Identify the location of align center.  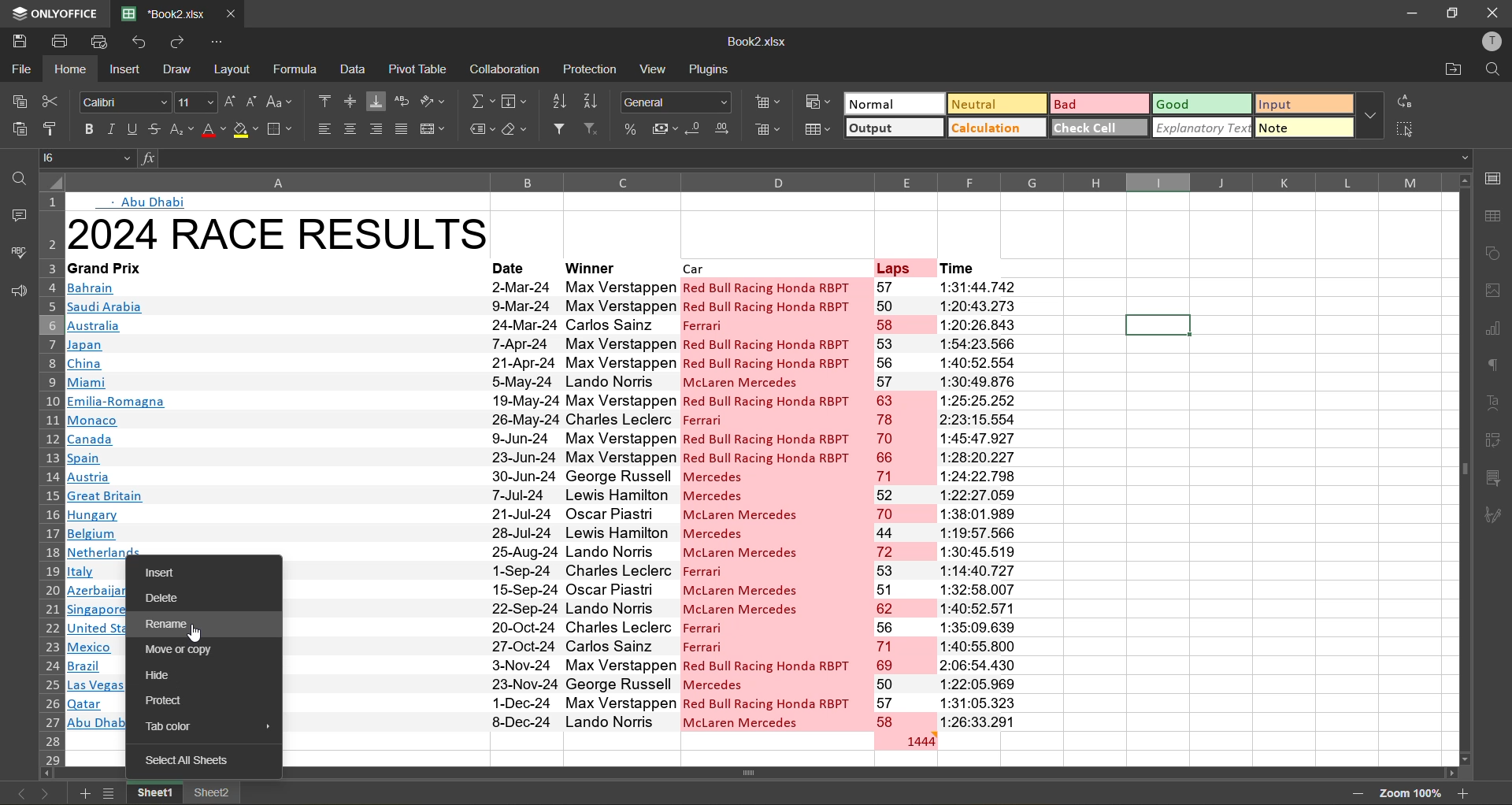
(350, 127).